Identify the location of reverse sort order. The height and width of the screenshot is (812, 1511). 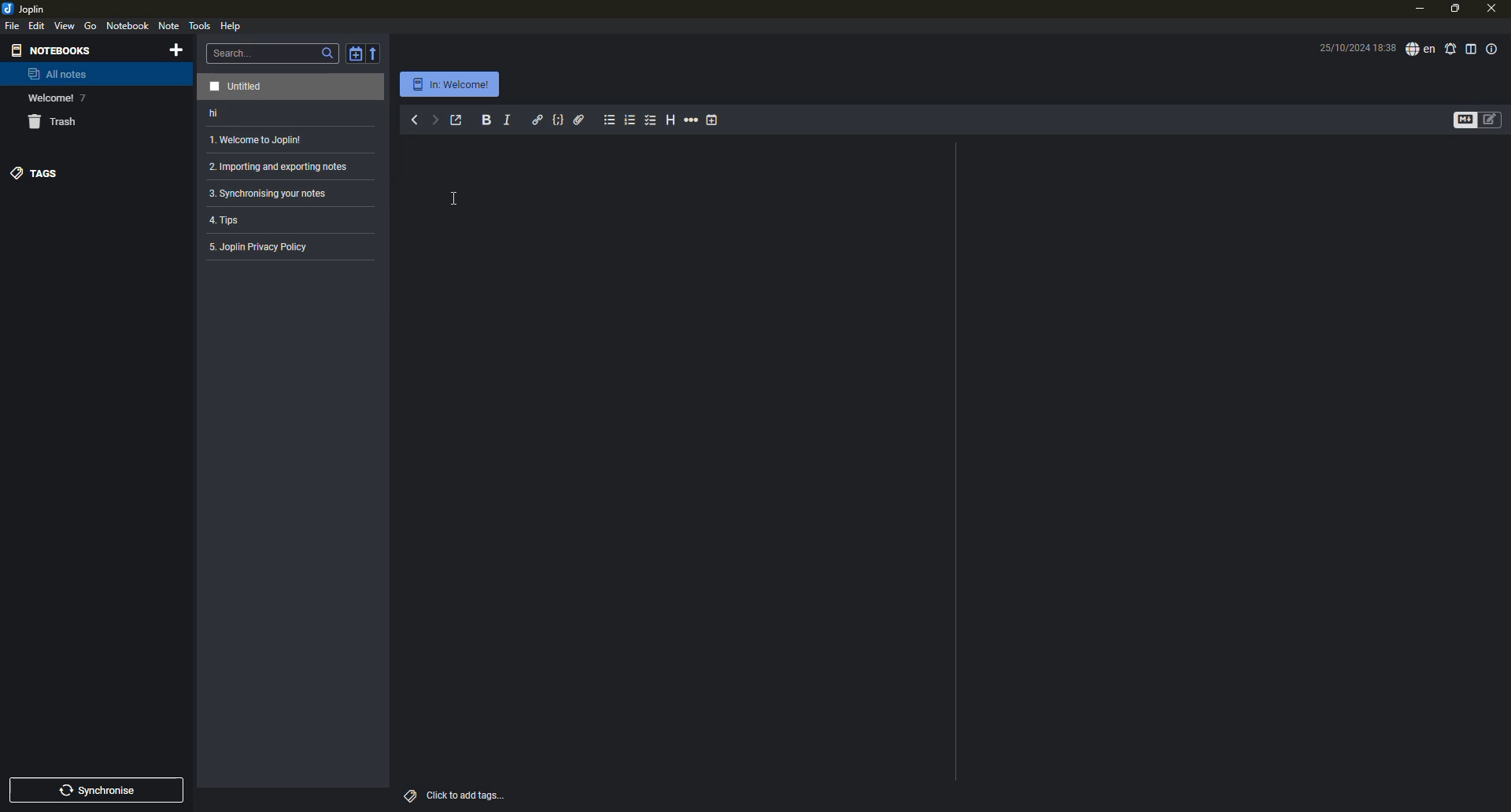
(376, 52).